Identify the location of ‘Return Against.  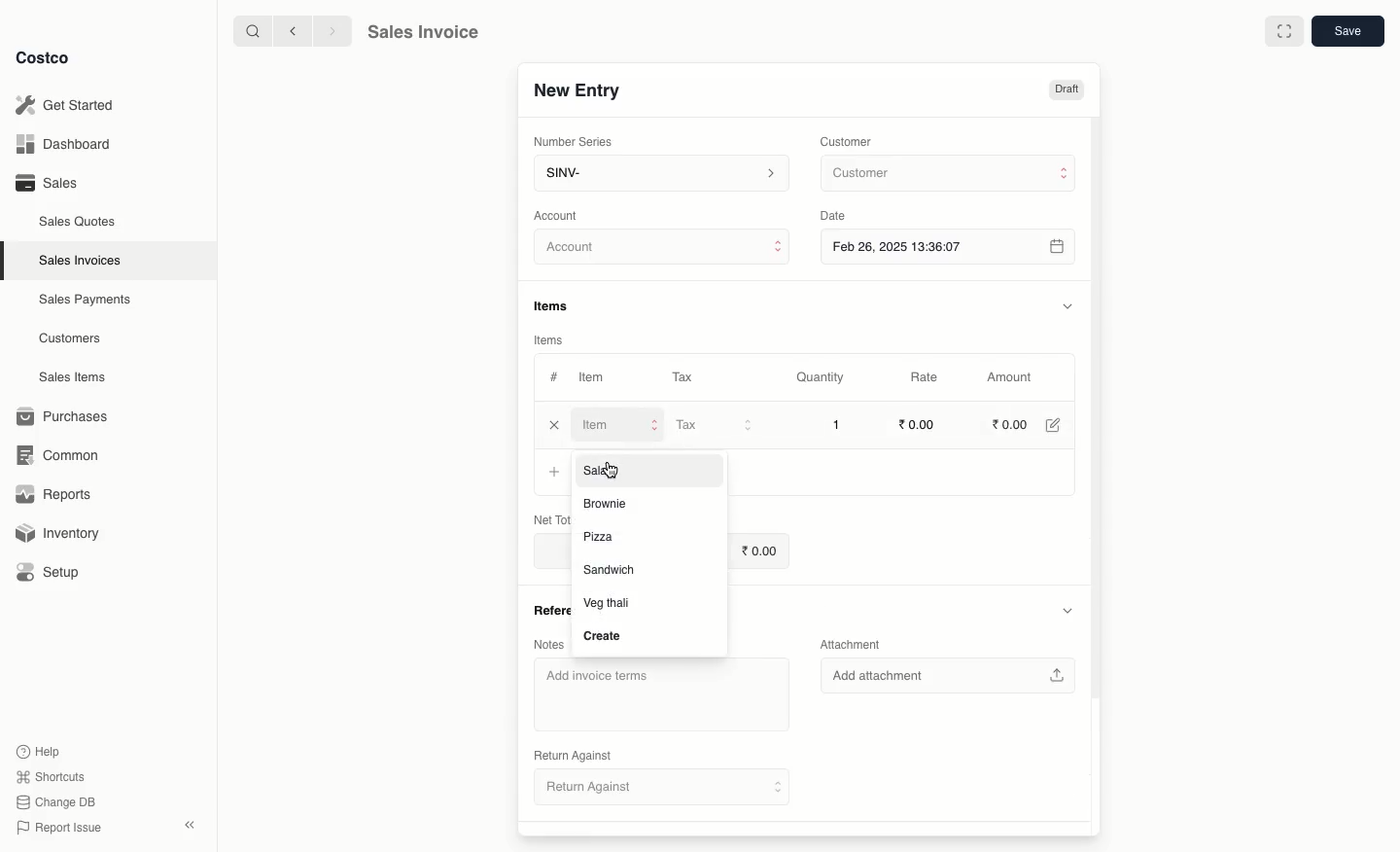
(572, 753).